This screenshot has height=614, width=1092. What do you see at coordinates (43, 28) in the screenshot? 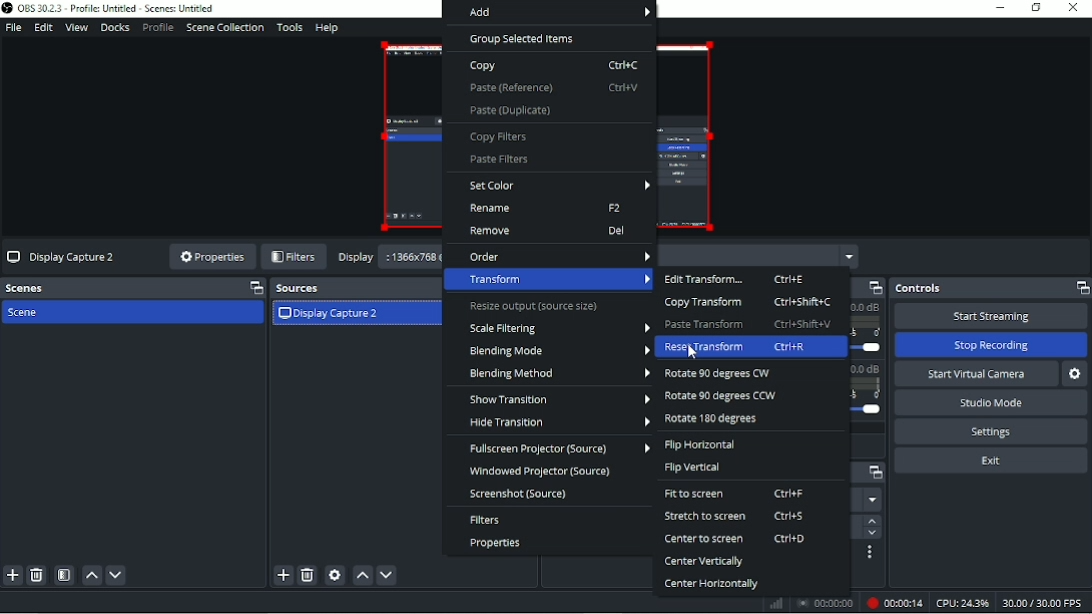
I see `Edit` at bounding box center [43, 28].